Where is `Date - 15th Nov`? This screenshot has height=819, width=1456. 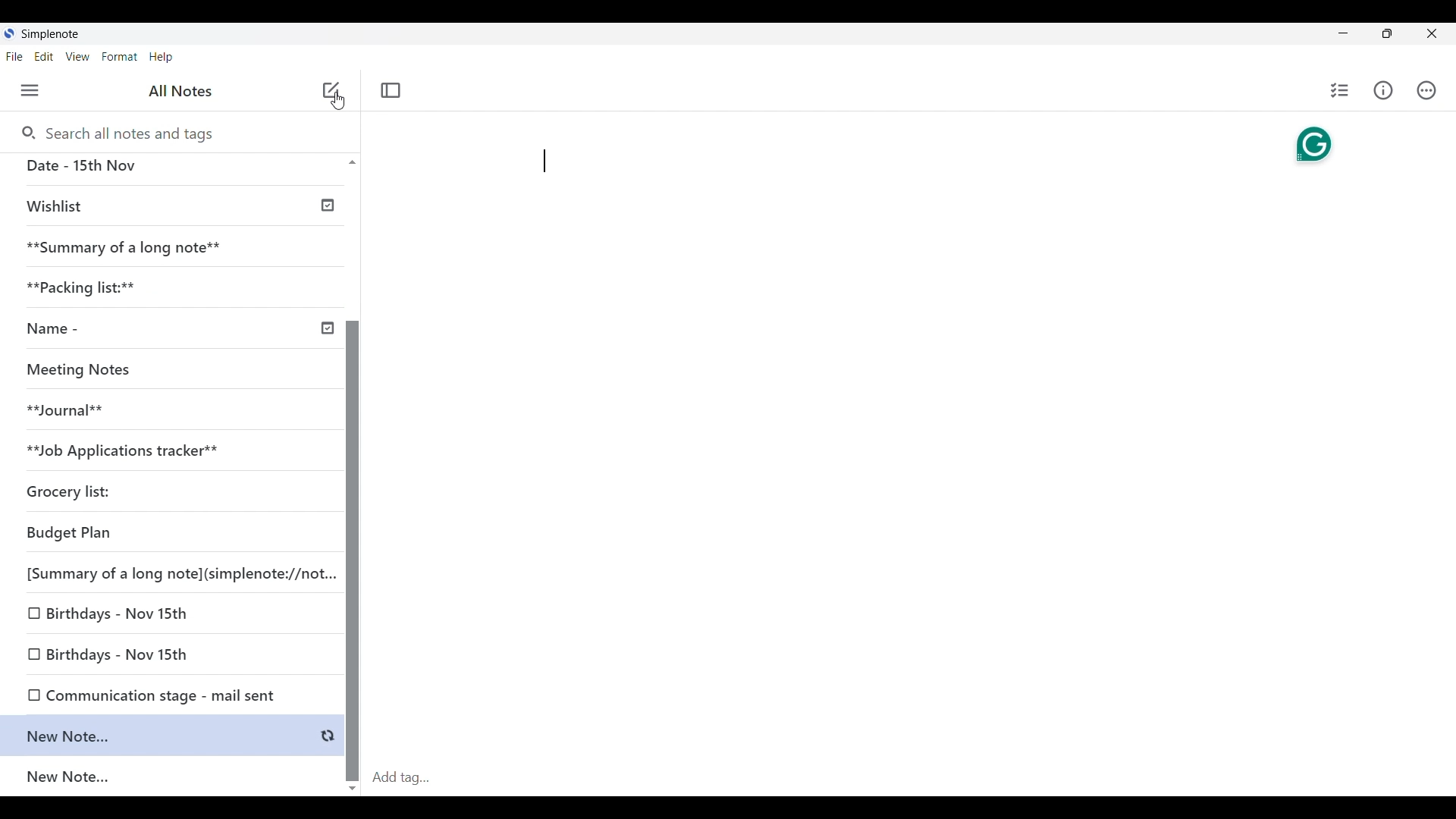 Date - 15th Nov is located at coordinates (173, 168).